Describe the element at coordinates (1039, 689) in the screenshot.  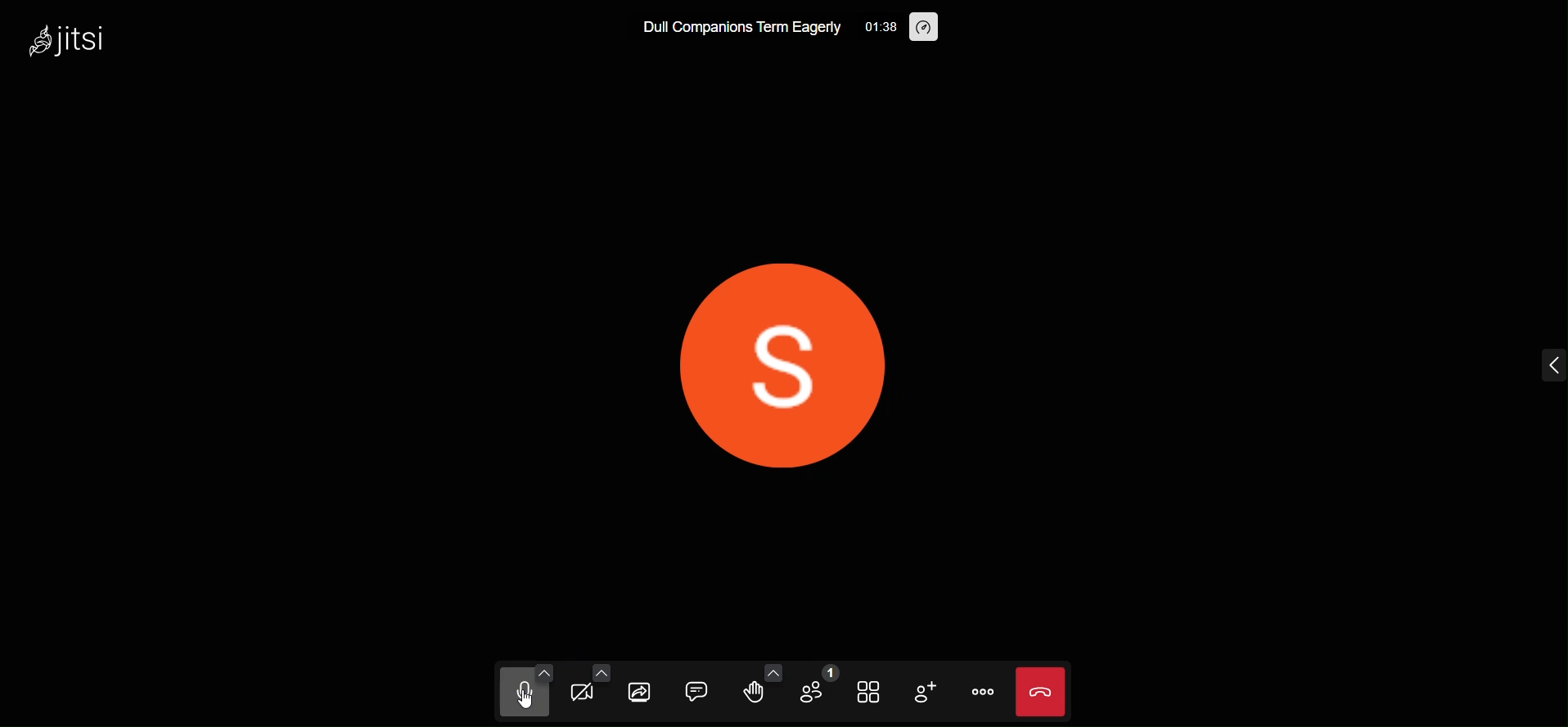
I see `leave the meeting` at that location.